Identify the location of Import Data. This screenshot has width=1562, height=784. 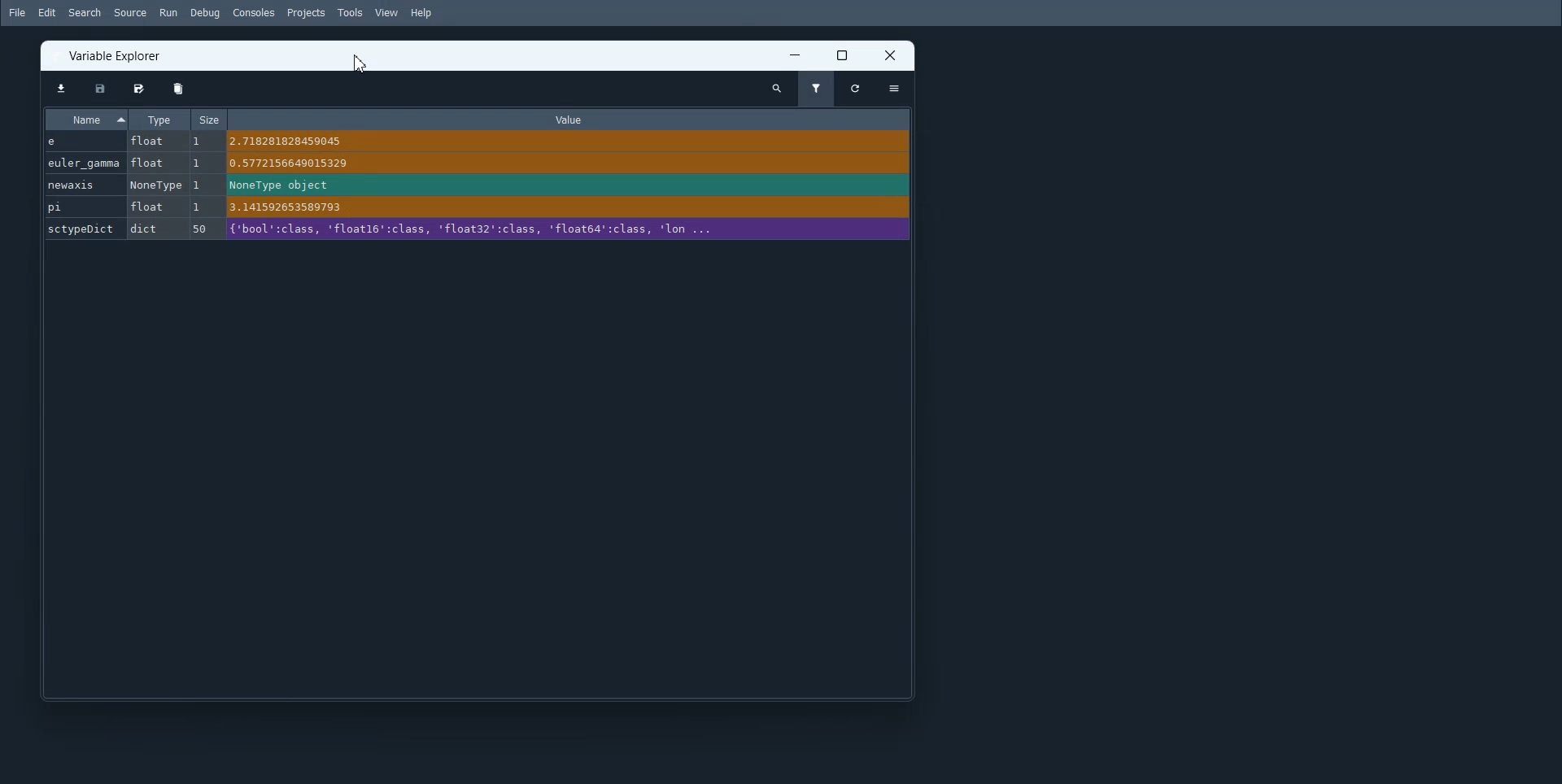
(59, 88).